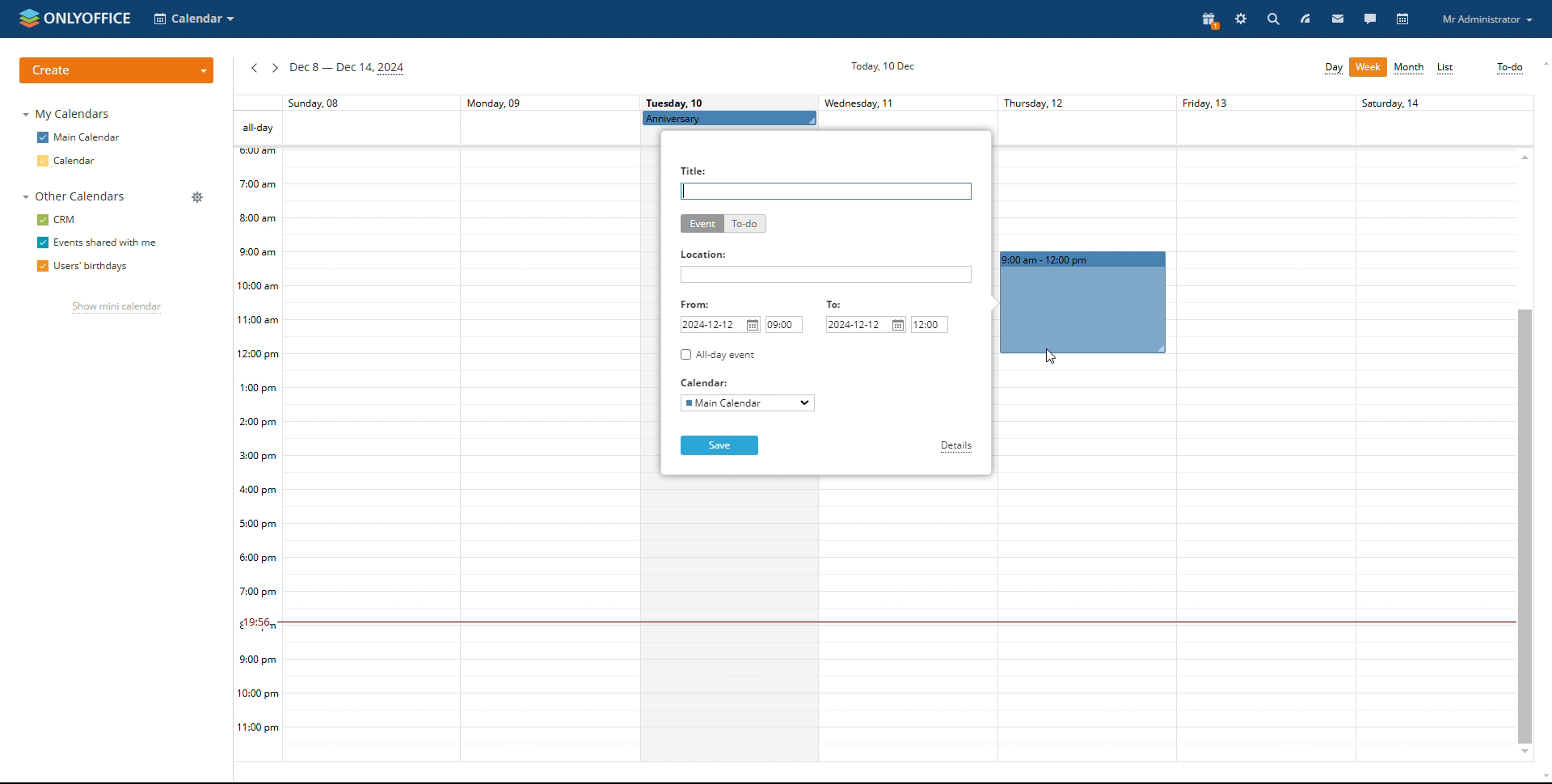 This screenshot has height=784, width=1552. Describe the element at coordinates (785, 325) in the screenshot. I see `start time` at that location.